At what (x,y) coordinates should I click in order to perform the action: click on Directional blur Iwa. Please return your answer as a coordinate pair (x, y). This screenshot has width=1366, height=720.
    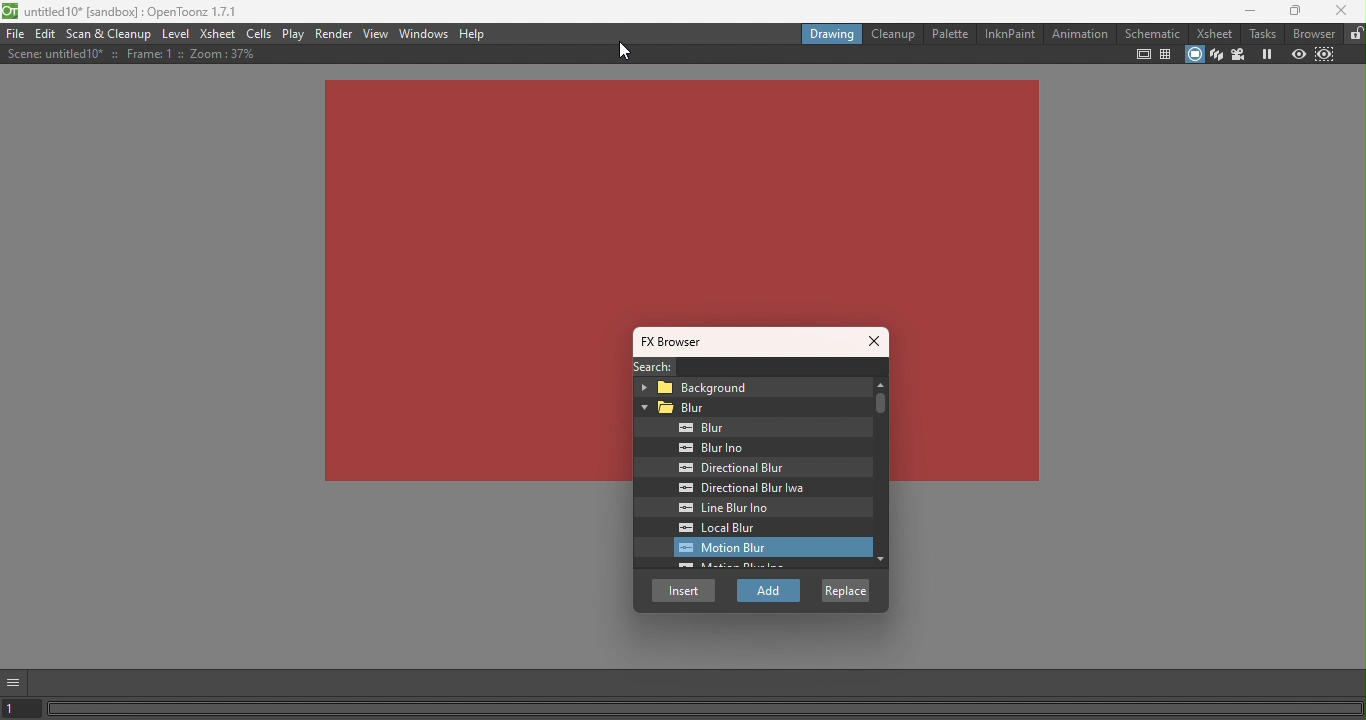
    Looking at the image, I should click on (735, 488).